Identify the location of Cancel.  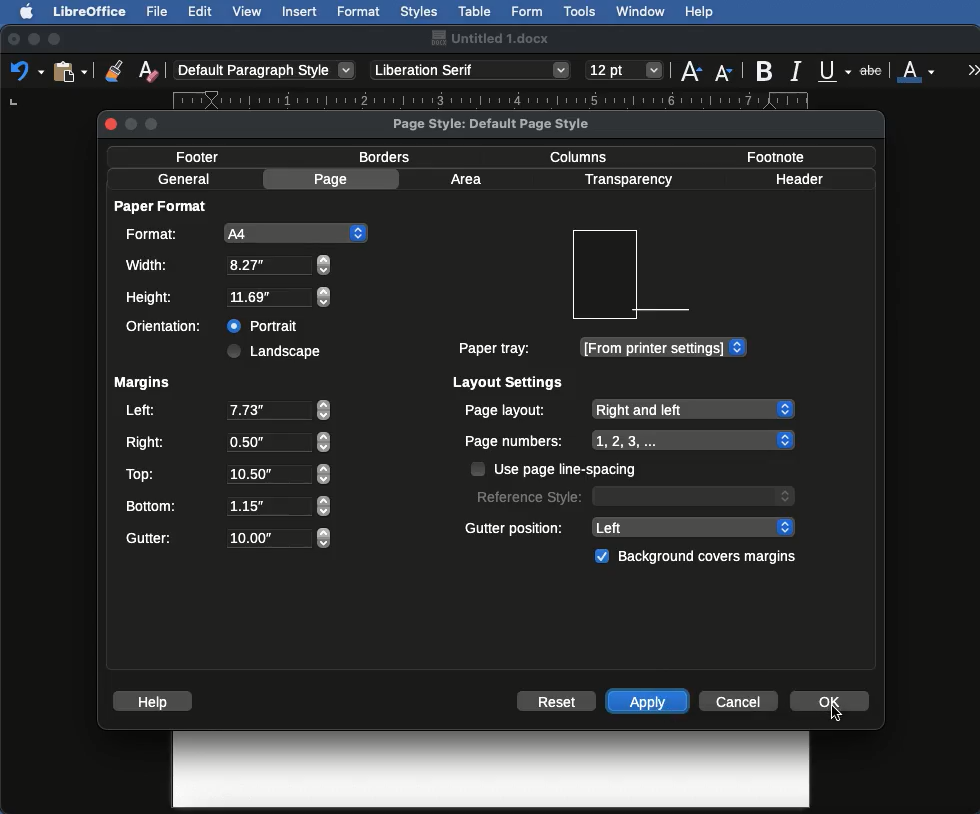
(741, 700).